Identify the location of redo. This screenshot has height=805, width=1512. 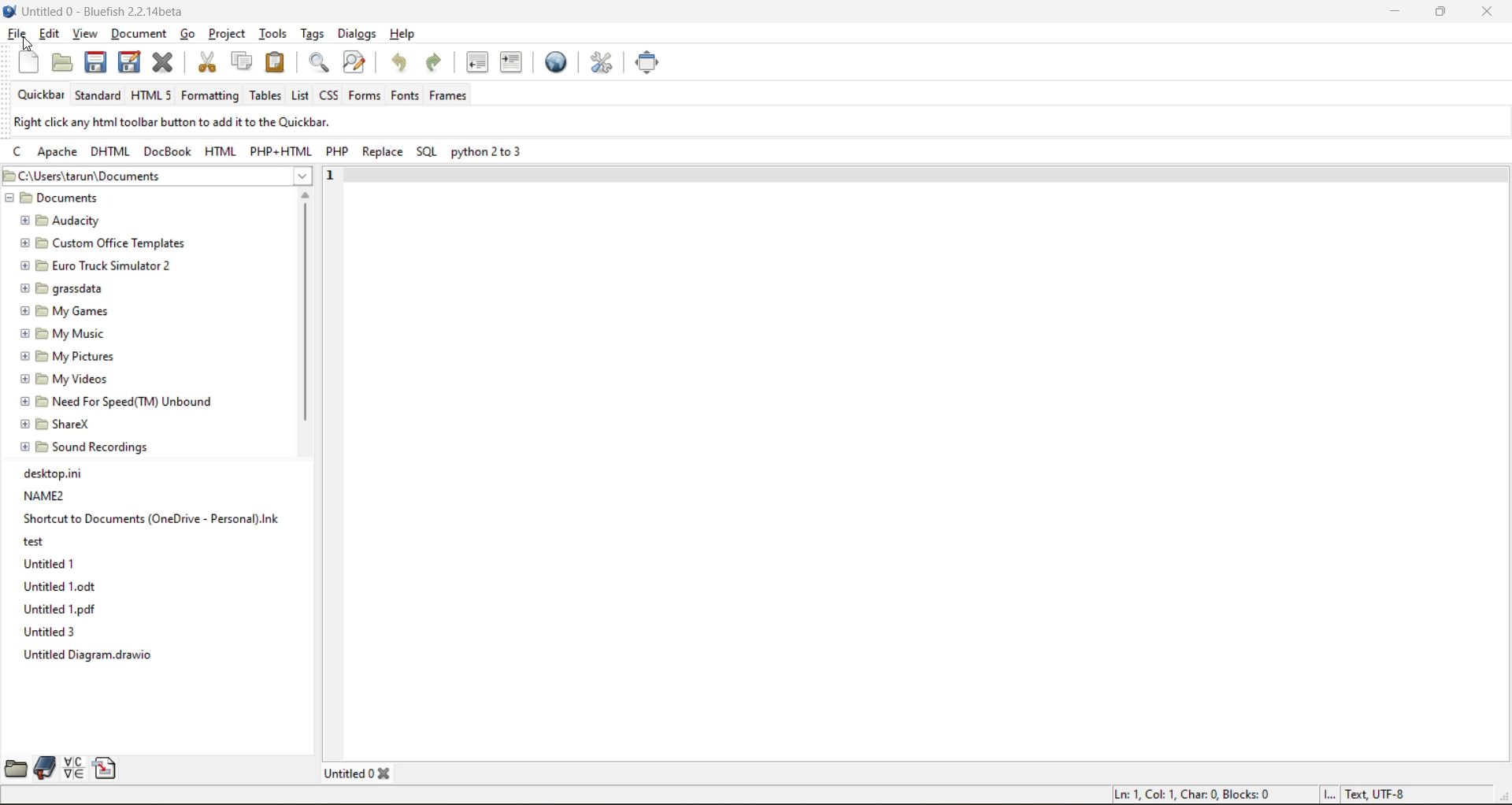
(442, 67).